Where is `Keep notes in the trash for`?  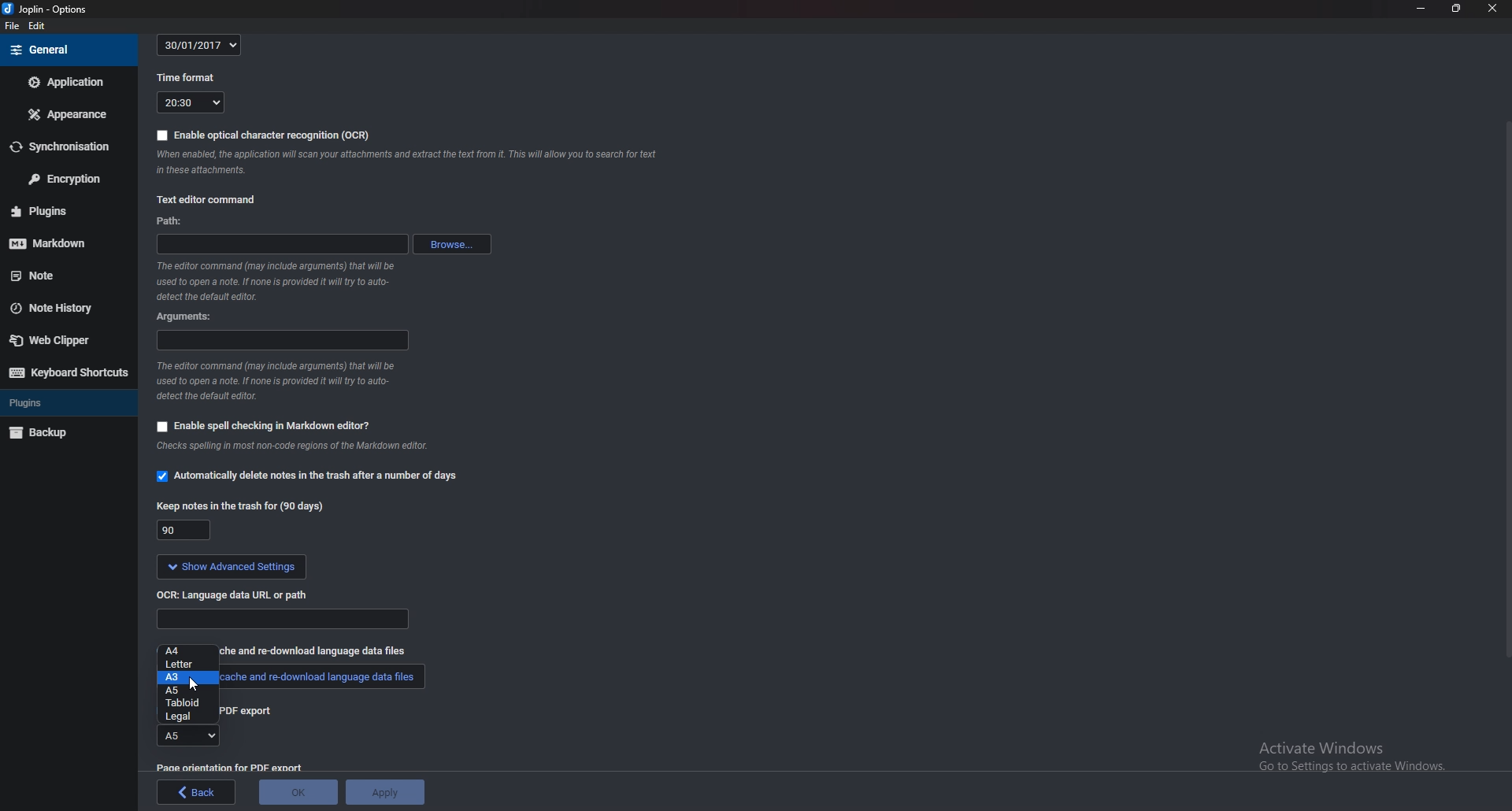
Keep notes in the trash for is located at coordinates (183, 529).